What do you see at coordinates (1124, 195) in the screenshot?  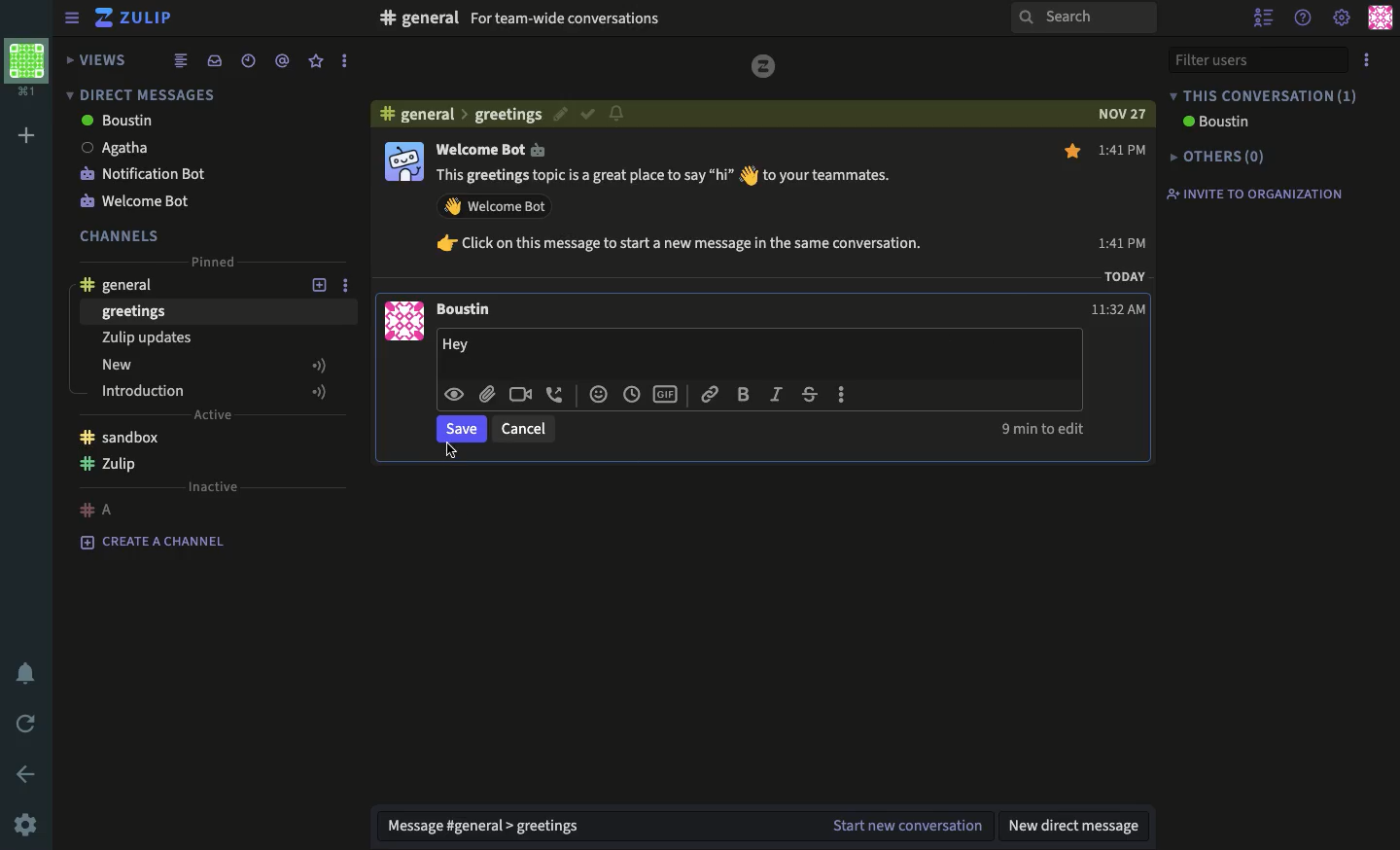 I see `1:41 PM` at bounding box center [1124, 195].